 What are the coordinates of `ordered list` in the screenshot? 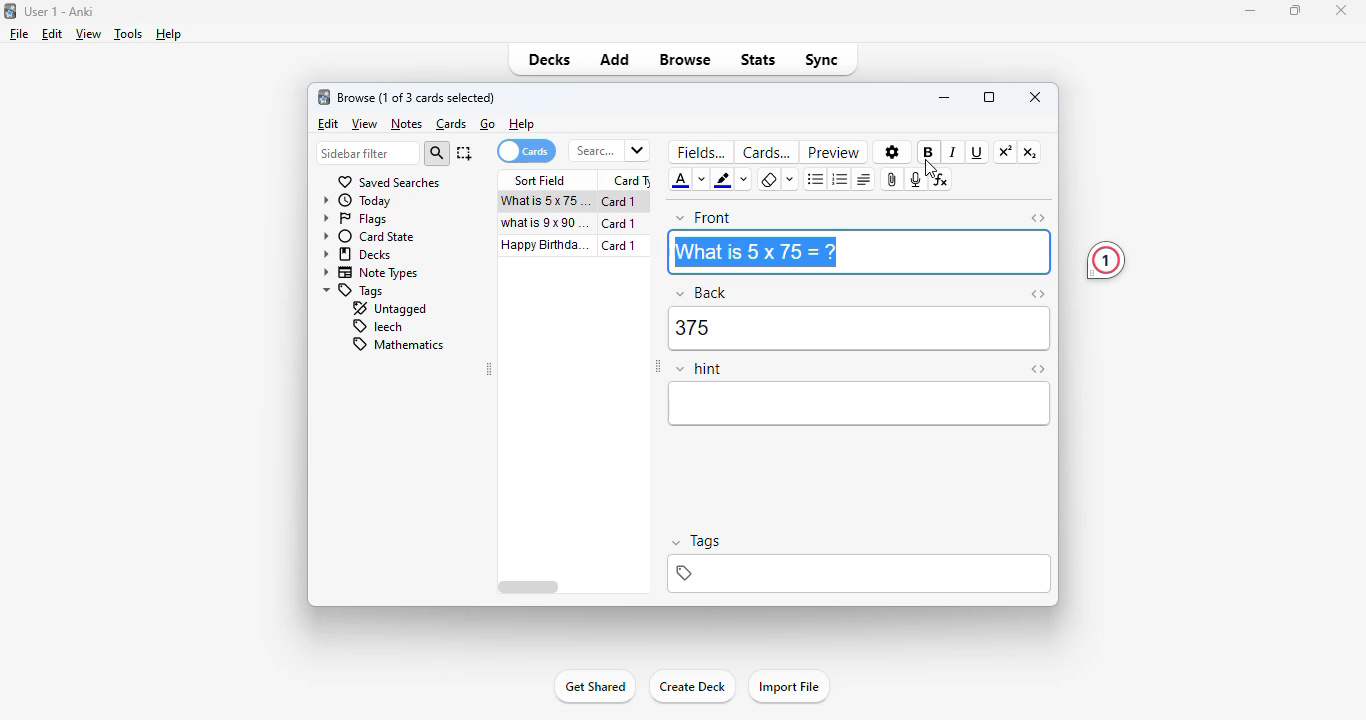 It's located at (839, 179).